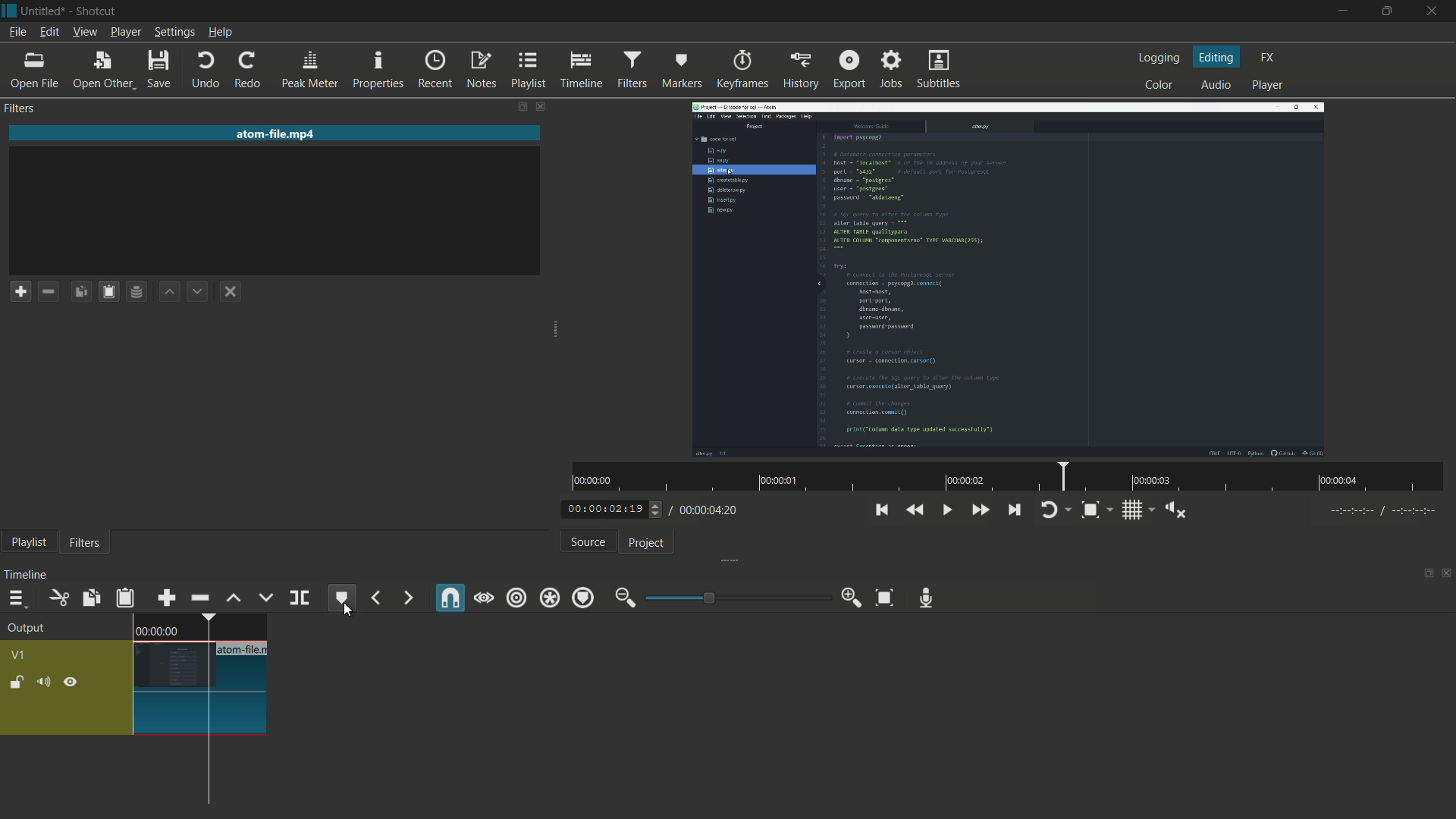  Describe the element at coordinates (245, 649) in the screenshot. I see `file name` at that location.